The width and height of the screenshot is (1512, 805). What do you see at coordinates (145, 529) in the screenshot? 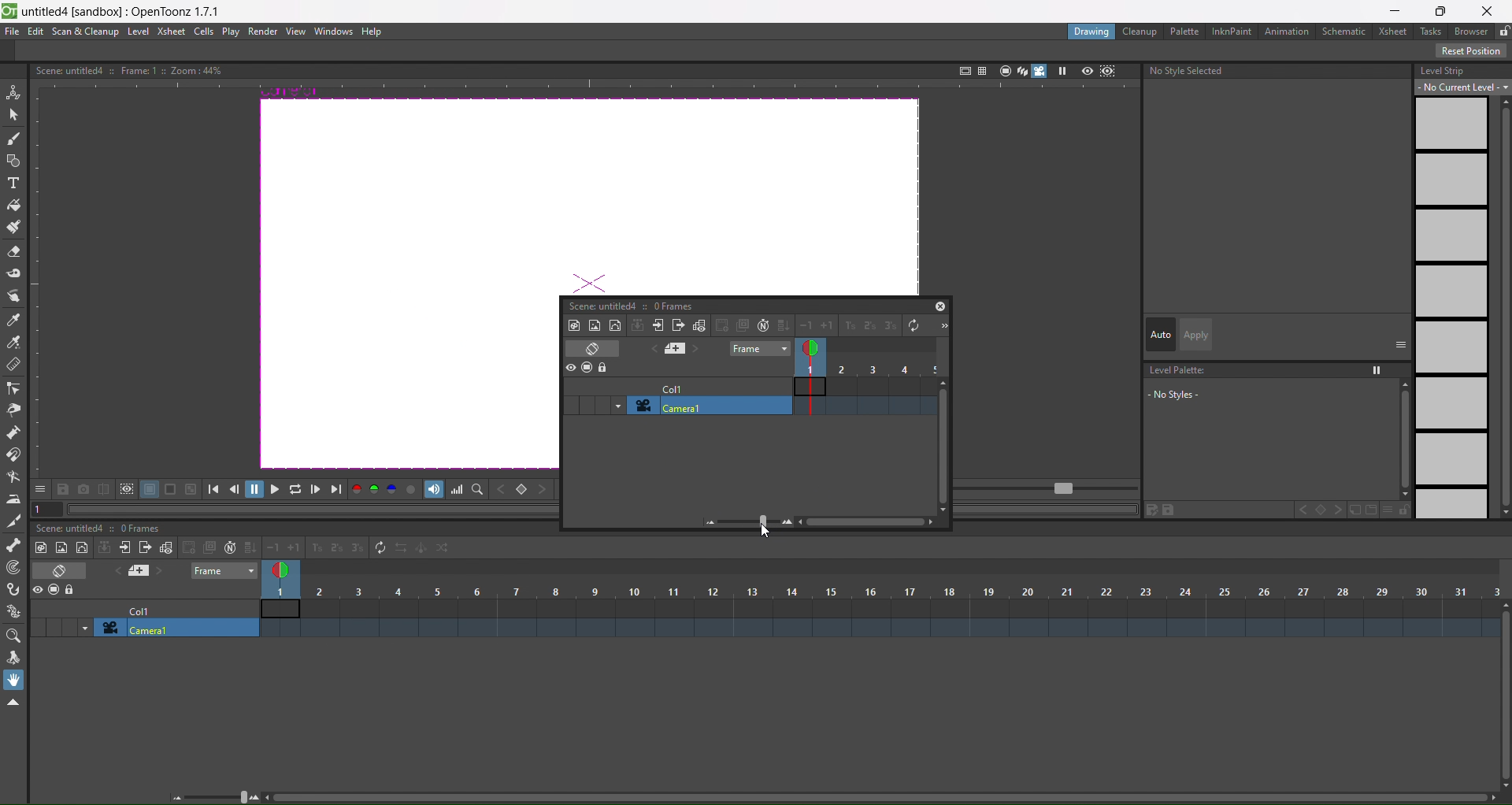
I see `0 frames` at bounding box center [145, 529].